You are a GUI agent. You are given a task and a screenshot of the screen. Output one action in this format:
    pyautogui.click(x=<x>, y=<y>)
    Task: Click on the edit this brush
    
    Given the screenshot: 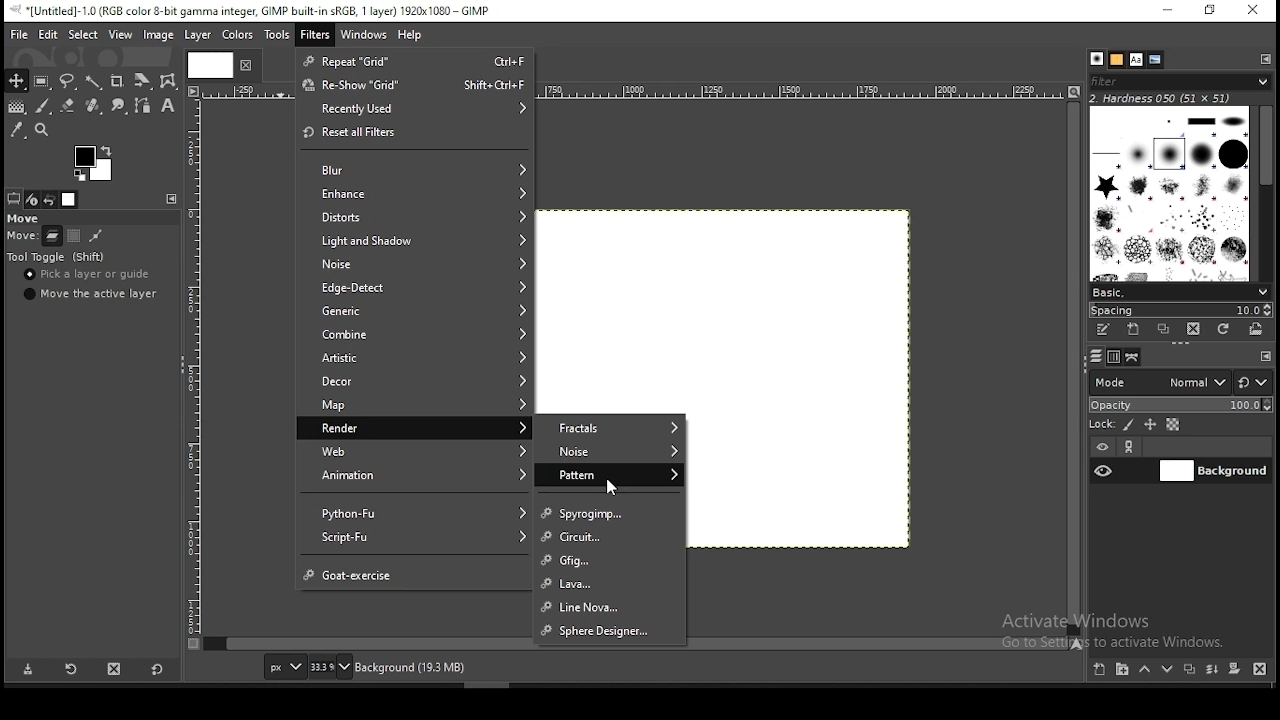 What is the action you would take?
    pyautogui.click(x=1101, y=330)
    